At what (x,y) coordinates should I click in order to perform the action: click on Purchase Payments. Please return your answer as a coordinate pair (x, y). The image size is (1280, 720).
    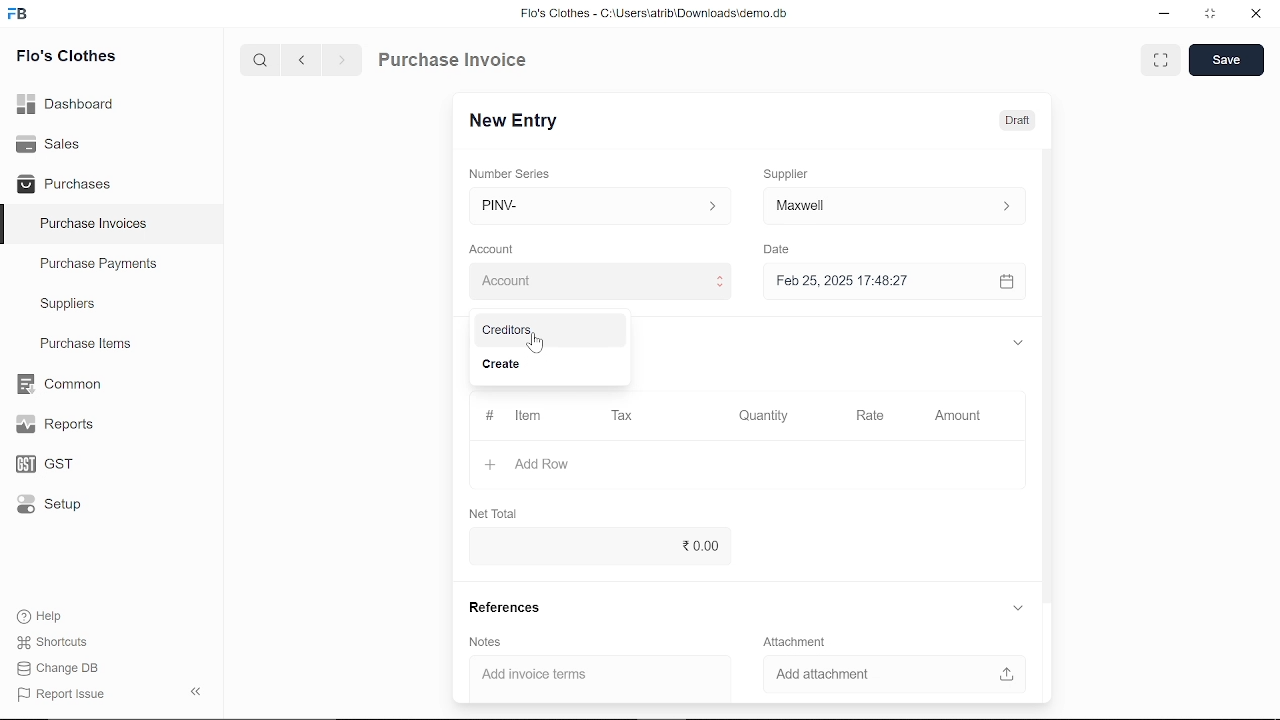
    Looking at the image, I should click on (112, 268).